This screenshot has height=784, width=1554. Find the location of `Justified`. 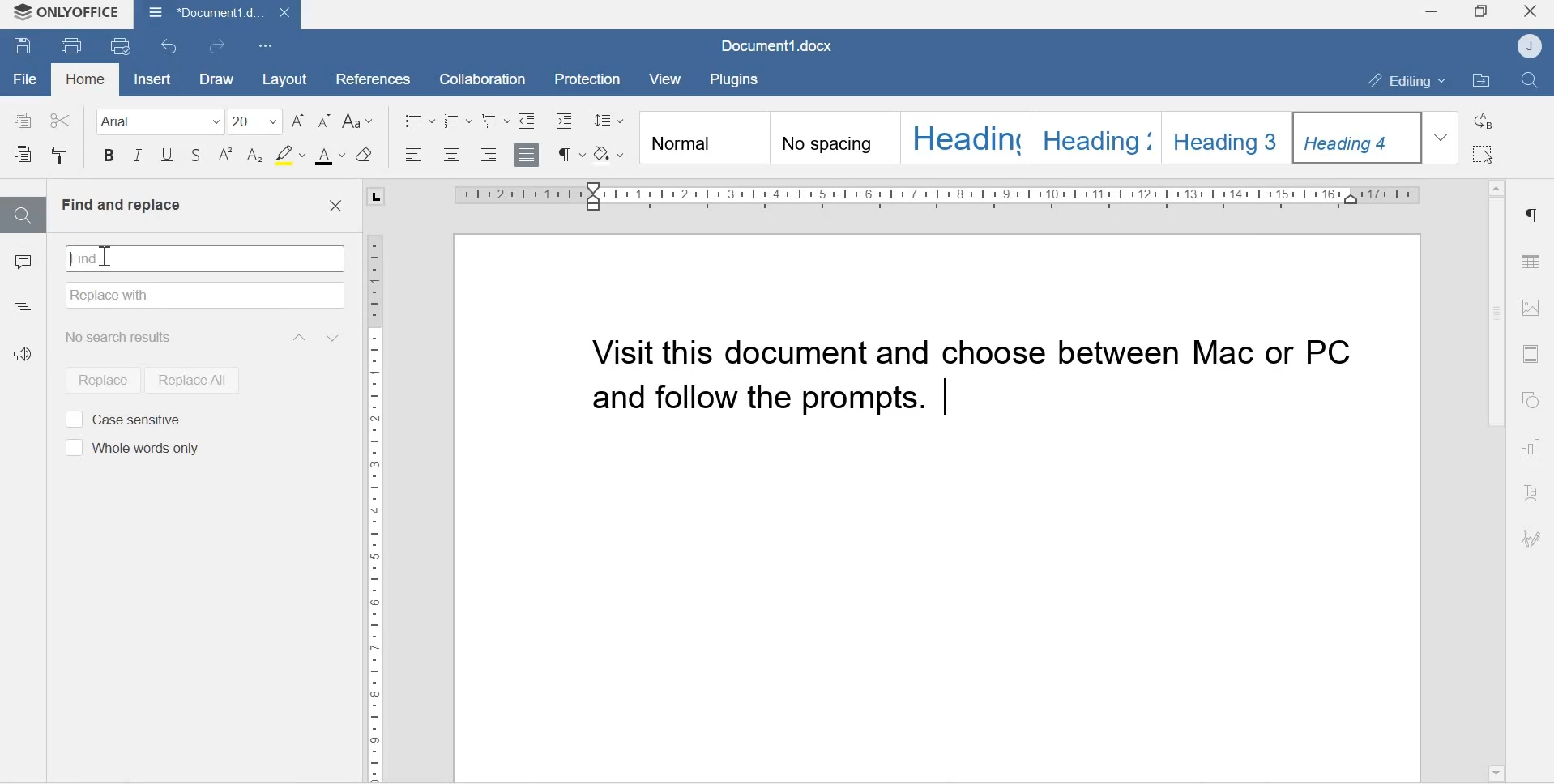

Justified is located at coordinates (527, 153).